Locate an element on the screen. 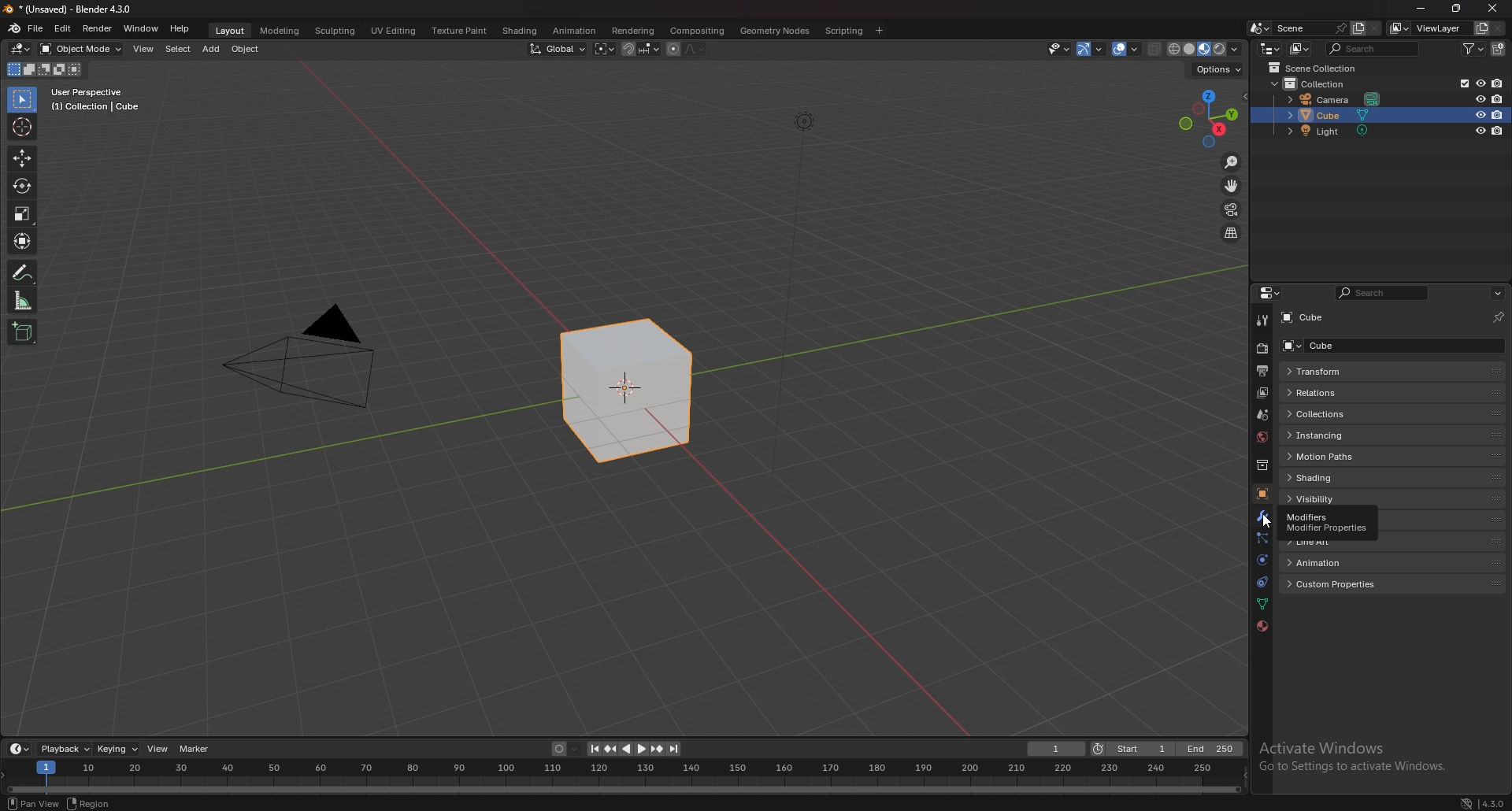  shading is located at coordinates (1335, 479).